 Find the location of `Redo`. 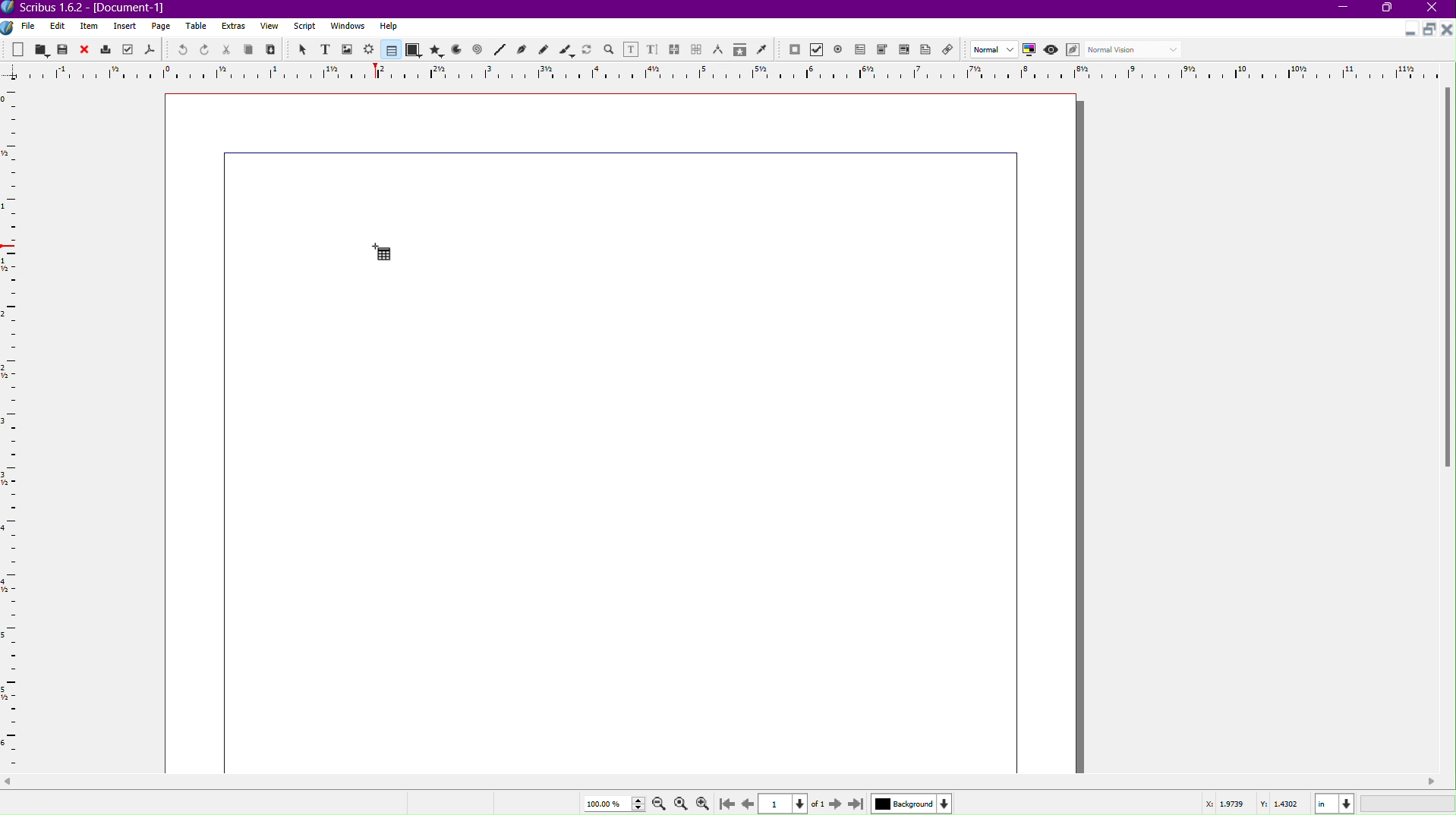

Redo is located at coordinates (205, 50).